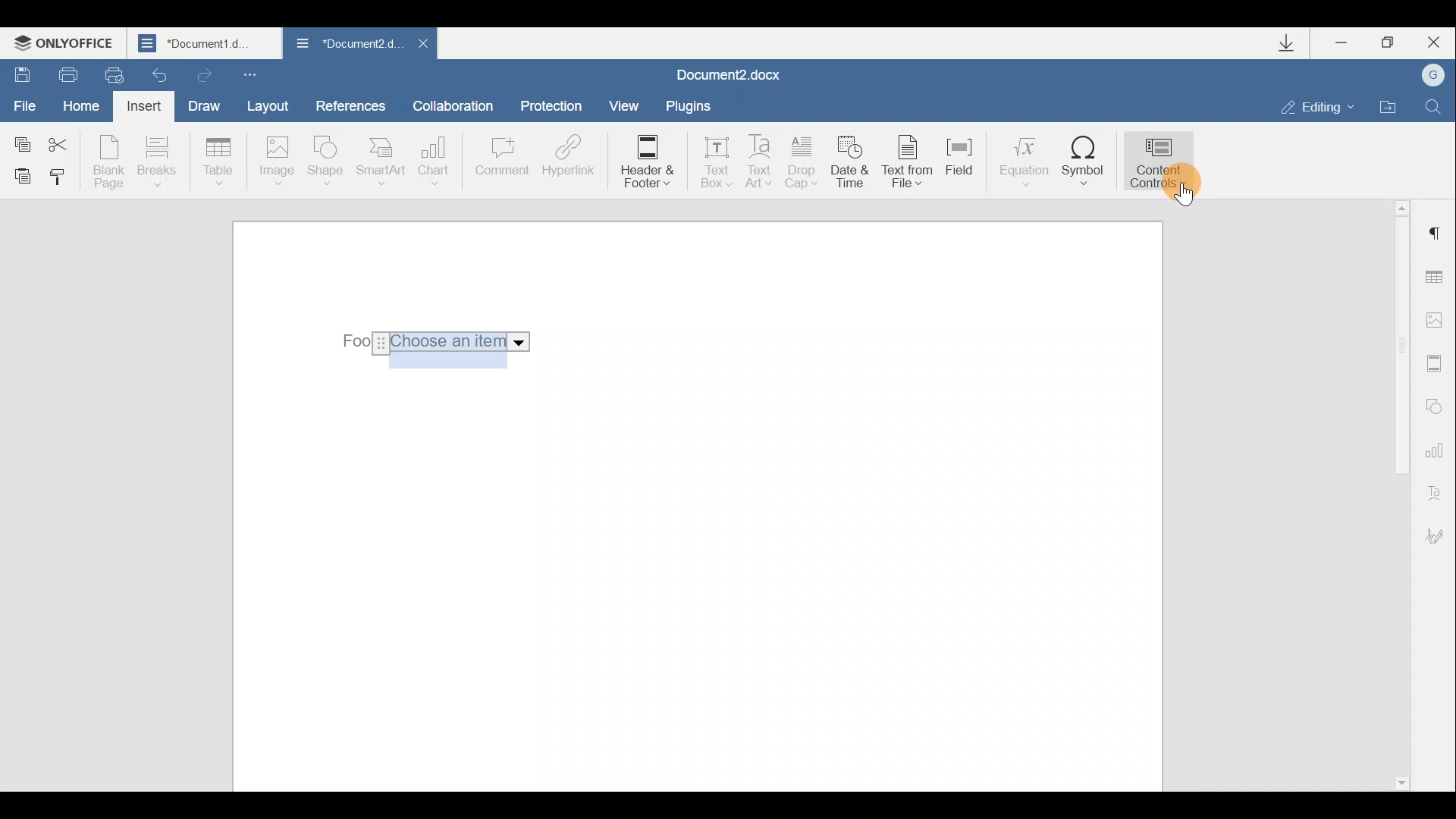  Describe the element at coordinates (1164, 158) in the screenshot. I see `Content controls` at that location.